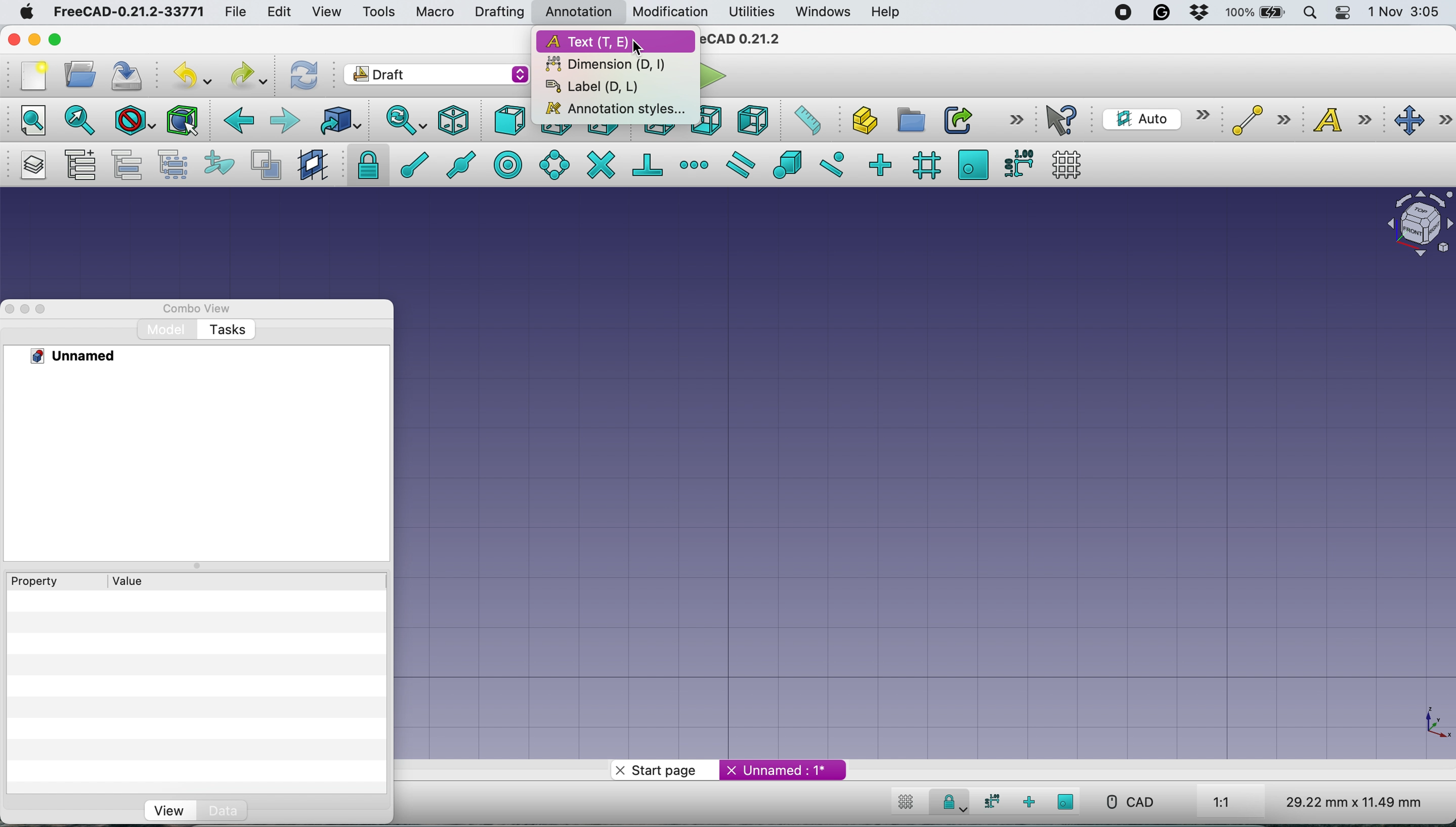  I want to click on snap dimensions, so click(989, 803).